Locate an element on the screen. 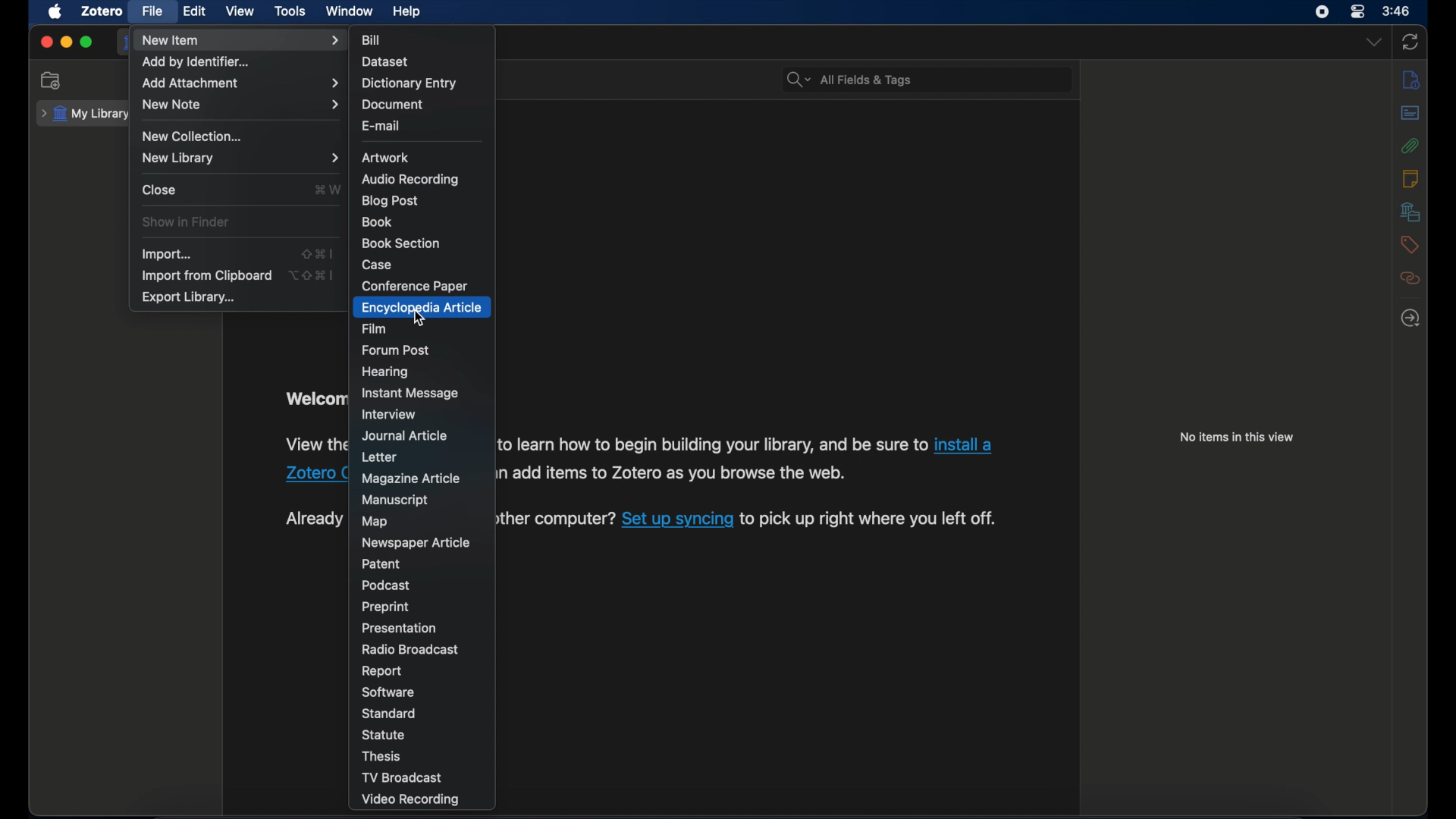 The width and height of the screenshot is (1456, 819). dictionary entry is located at coordinates (409, 83).